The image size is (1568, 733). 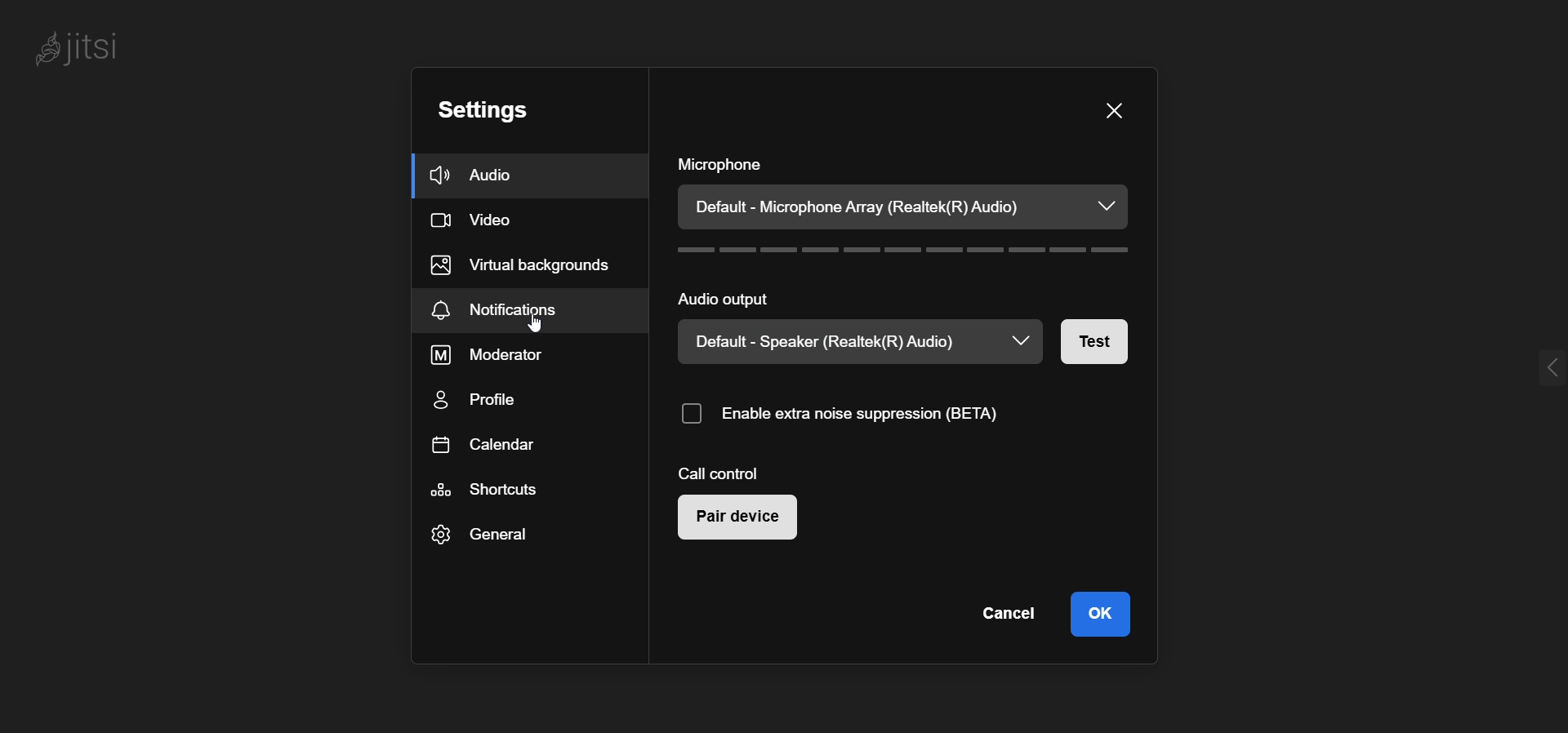 I want to click on audio, so click(x=475, y=174).